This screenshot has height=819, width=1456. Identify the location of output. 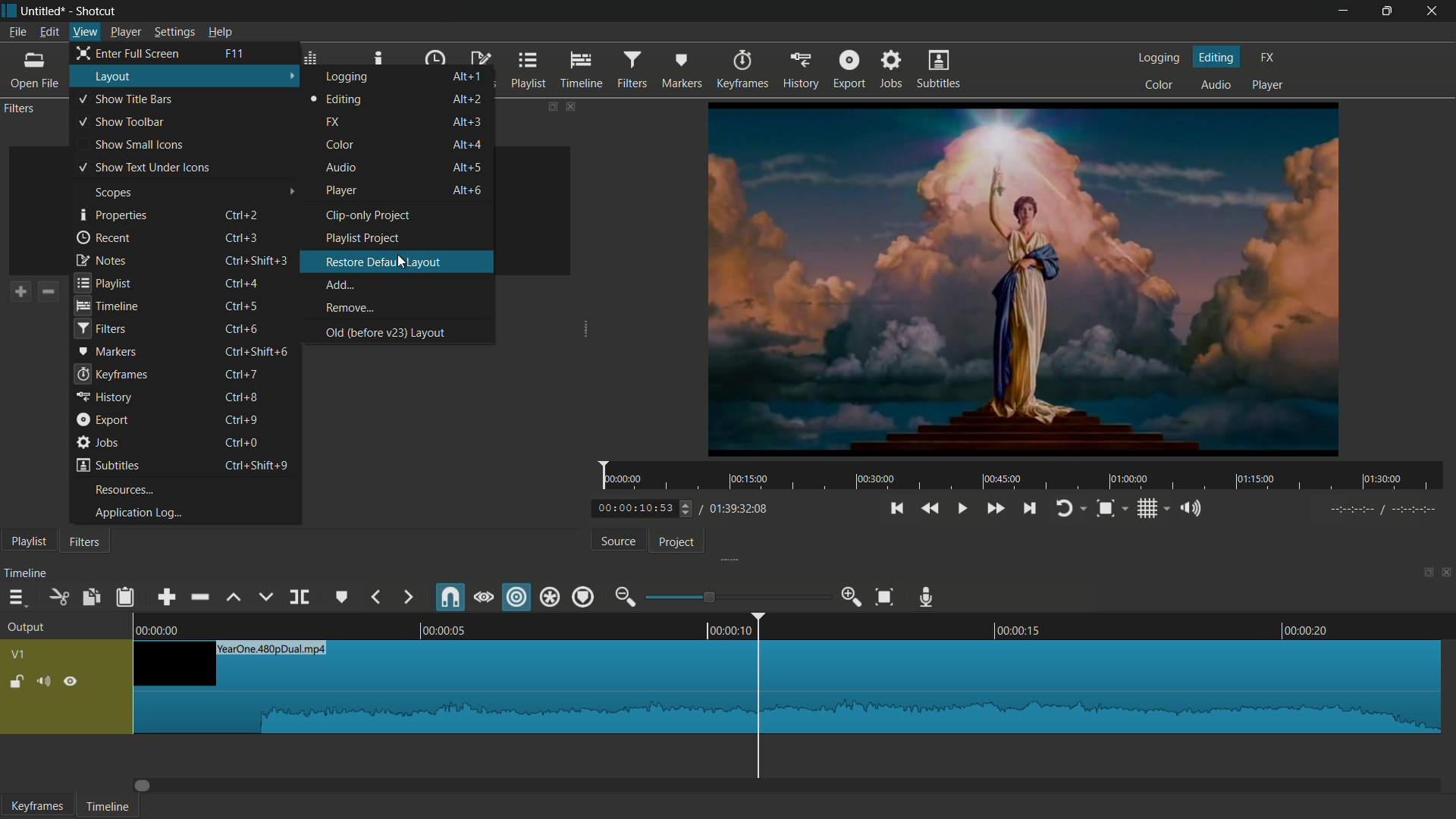
(26, 628).